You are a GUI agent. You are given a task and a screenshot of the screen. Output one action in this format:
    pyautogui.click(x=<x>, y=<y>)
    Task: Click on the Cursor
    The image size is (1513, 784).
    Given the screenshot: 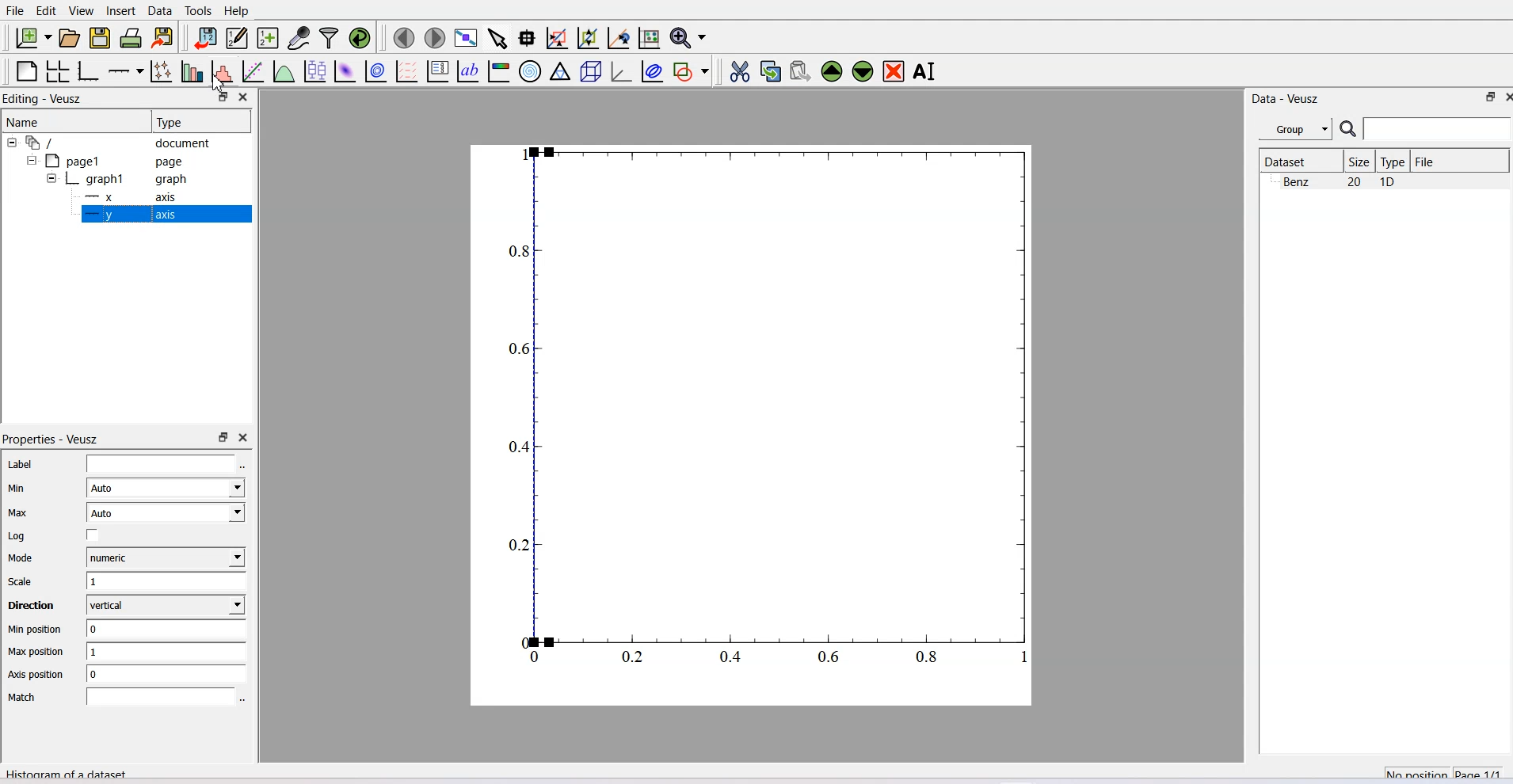 What is the action you would take?
    pyautogui.click(x=217, y=83)
    